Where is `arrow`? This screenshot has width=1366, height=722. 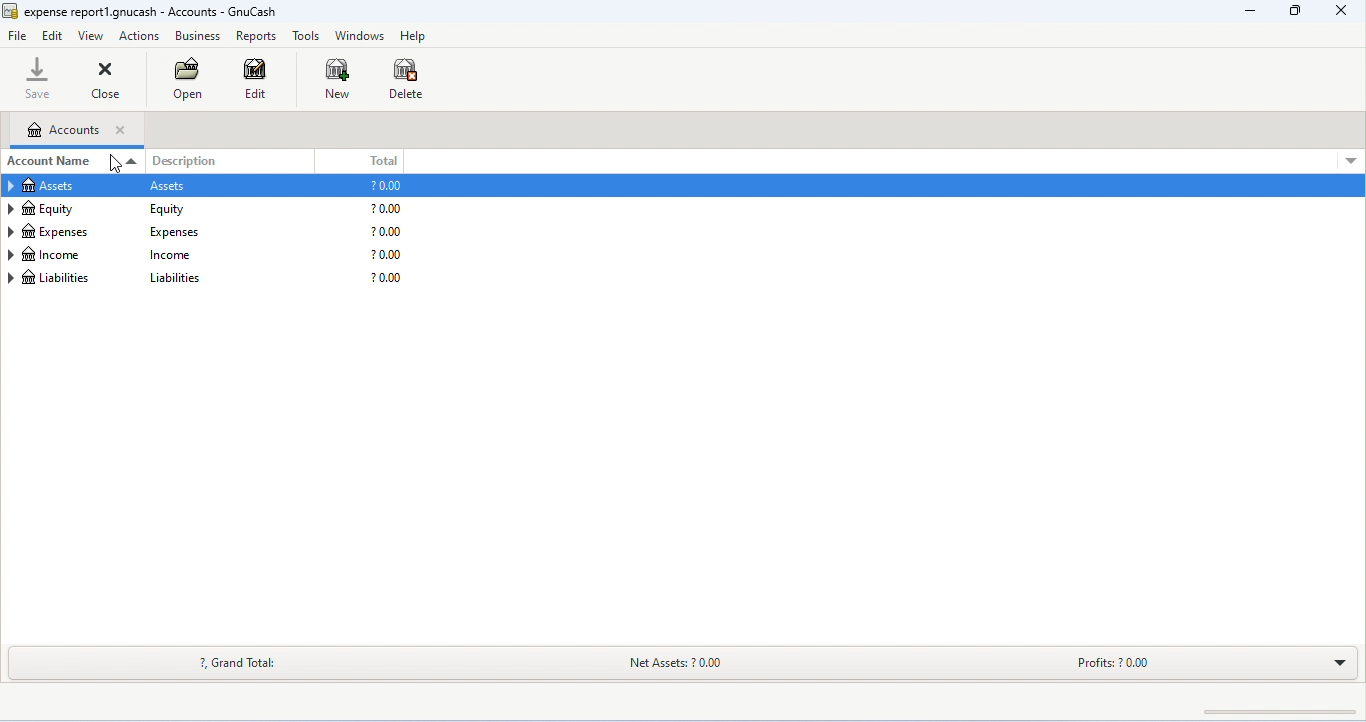 arrow is located at coordinates (9, 231).